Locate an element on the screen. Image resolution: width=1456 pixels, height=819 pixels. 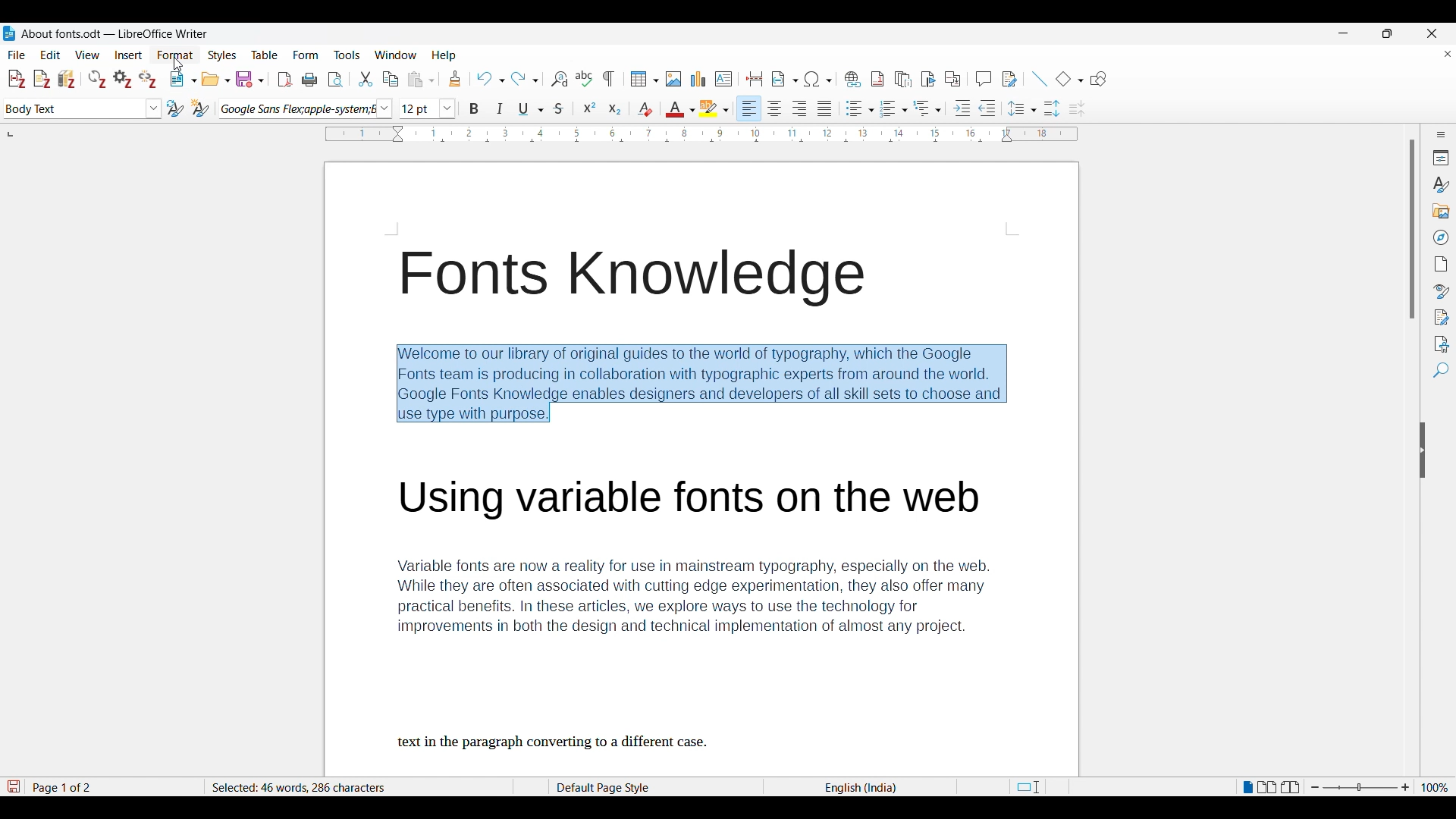
Insert field is located at coordinates (785, 79).